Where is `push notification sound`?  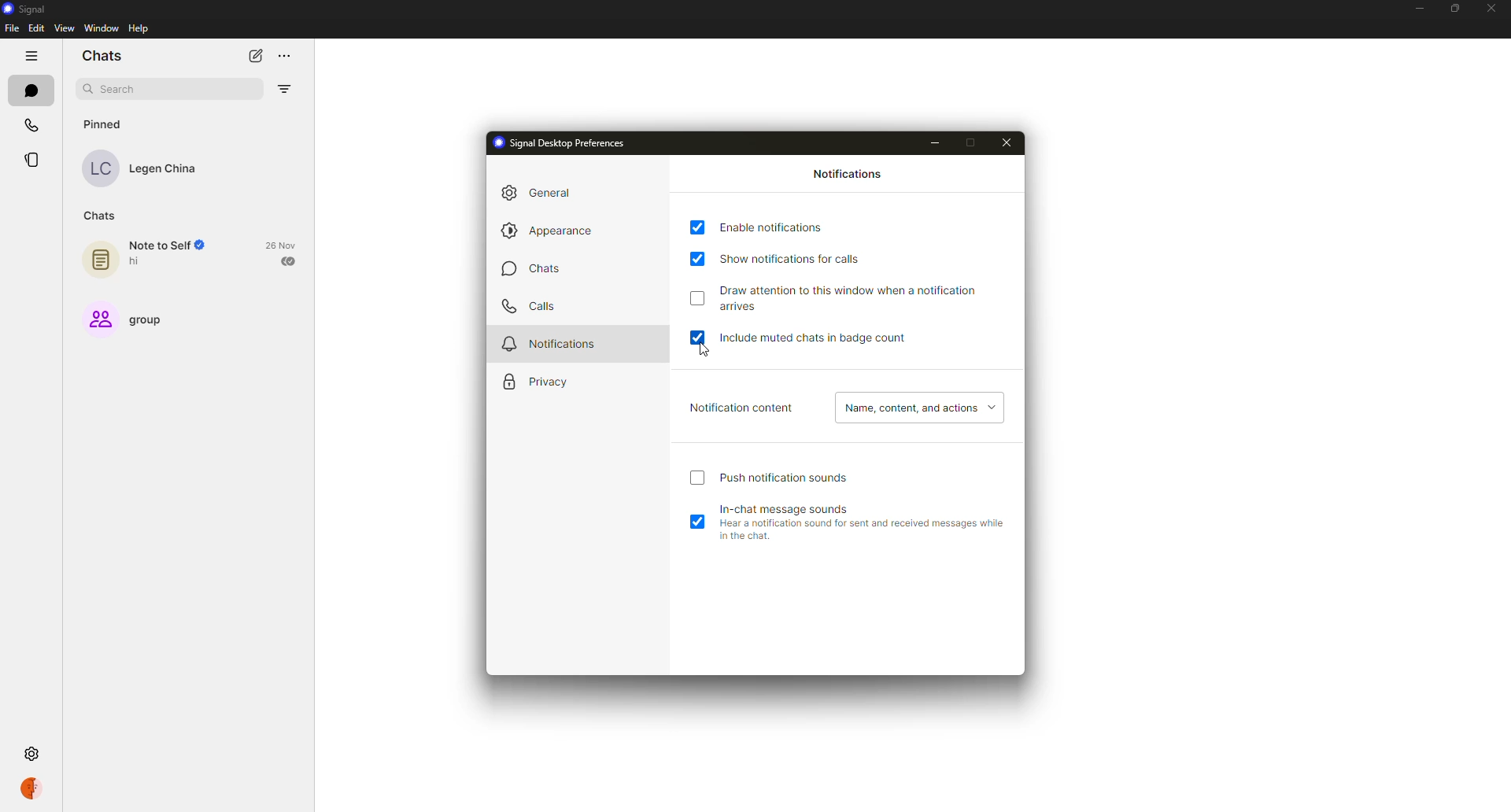 push notification sound is located at coordinates (789, 475).